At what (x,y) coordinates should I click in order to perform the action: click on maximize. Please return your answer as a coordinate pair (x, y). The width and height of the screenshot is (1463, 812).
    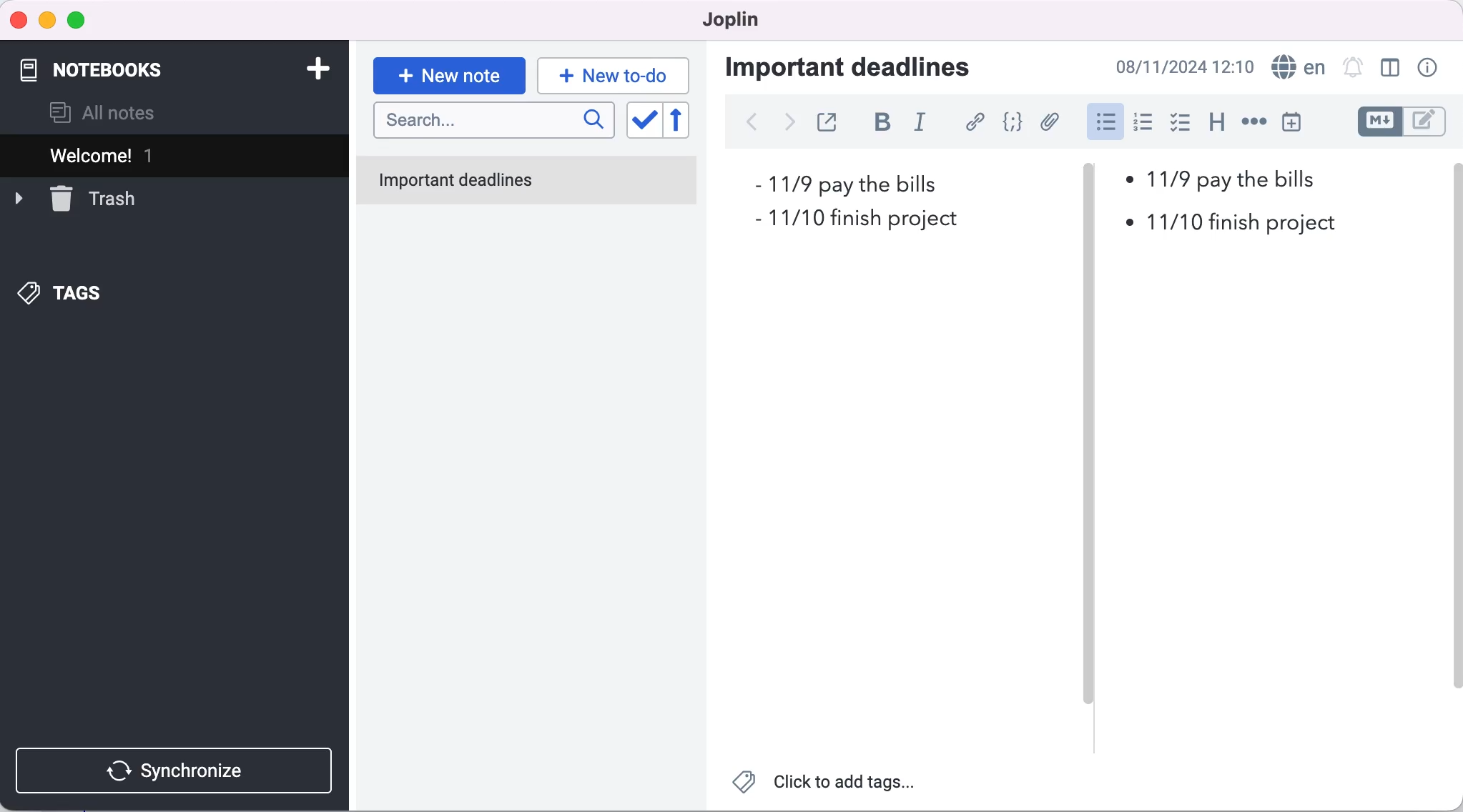
    Looking at the image, I should click on (81, 19).